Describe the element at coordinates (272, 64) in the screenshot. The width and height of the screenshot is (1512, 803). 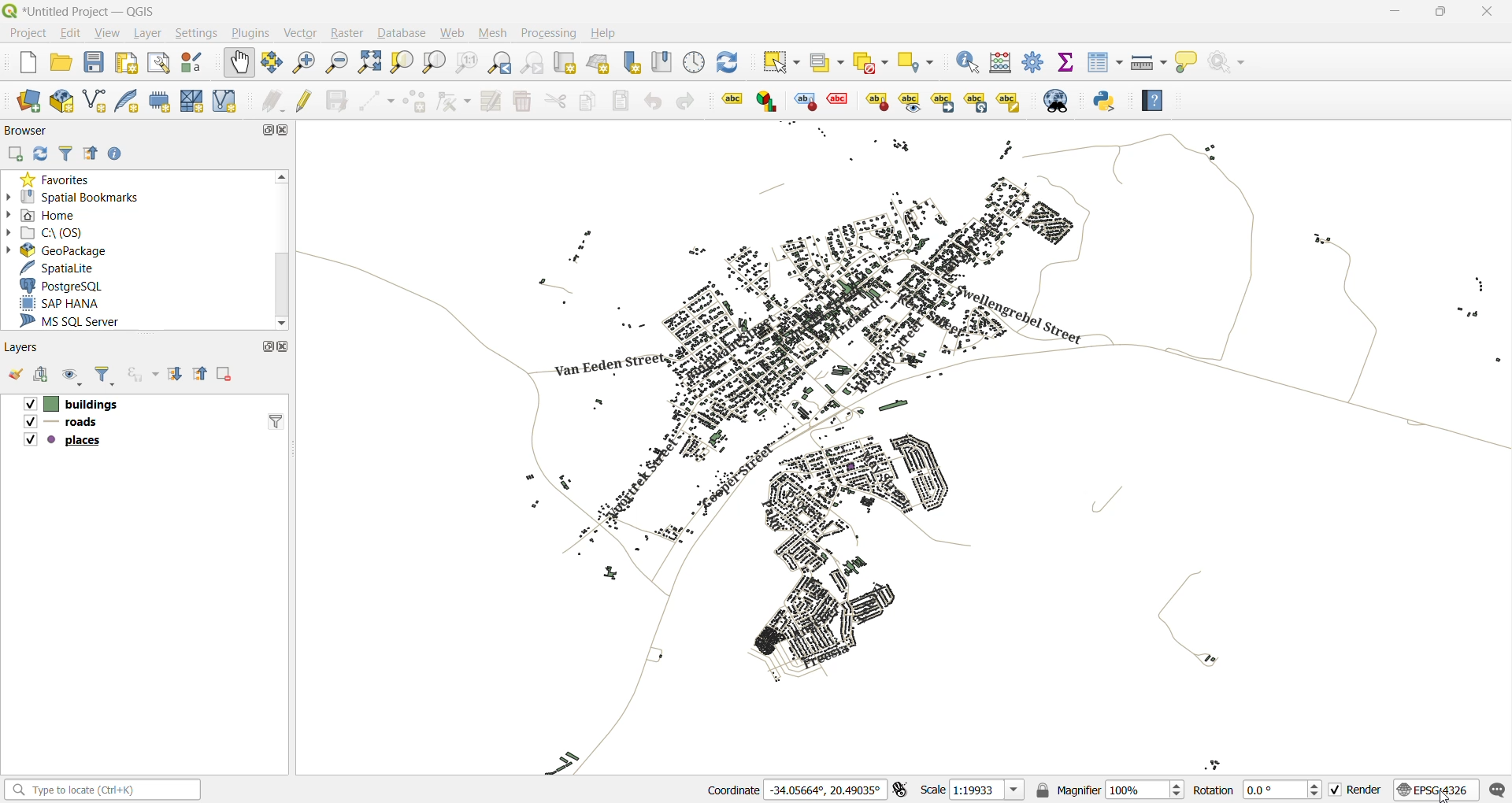
I see `pan selection` at that location.